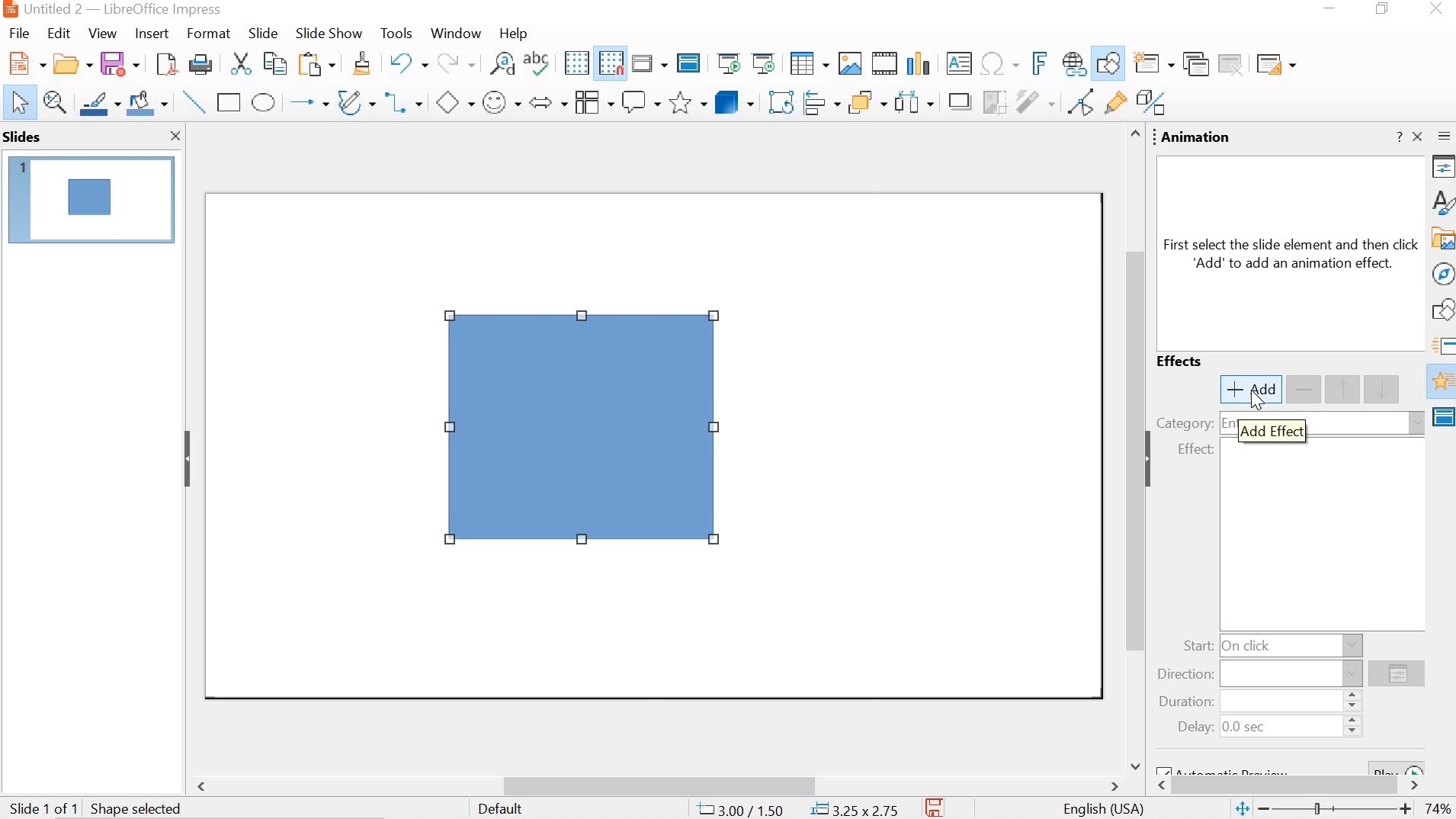 This screenshot has height=819, width=1456. I want to click on shadow draw functions, so click(1108, 62).